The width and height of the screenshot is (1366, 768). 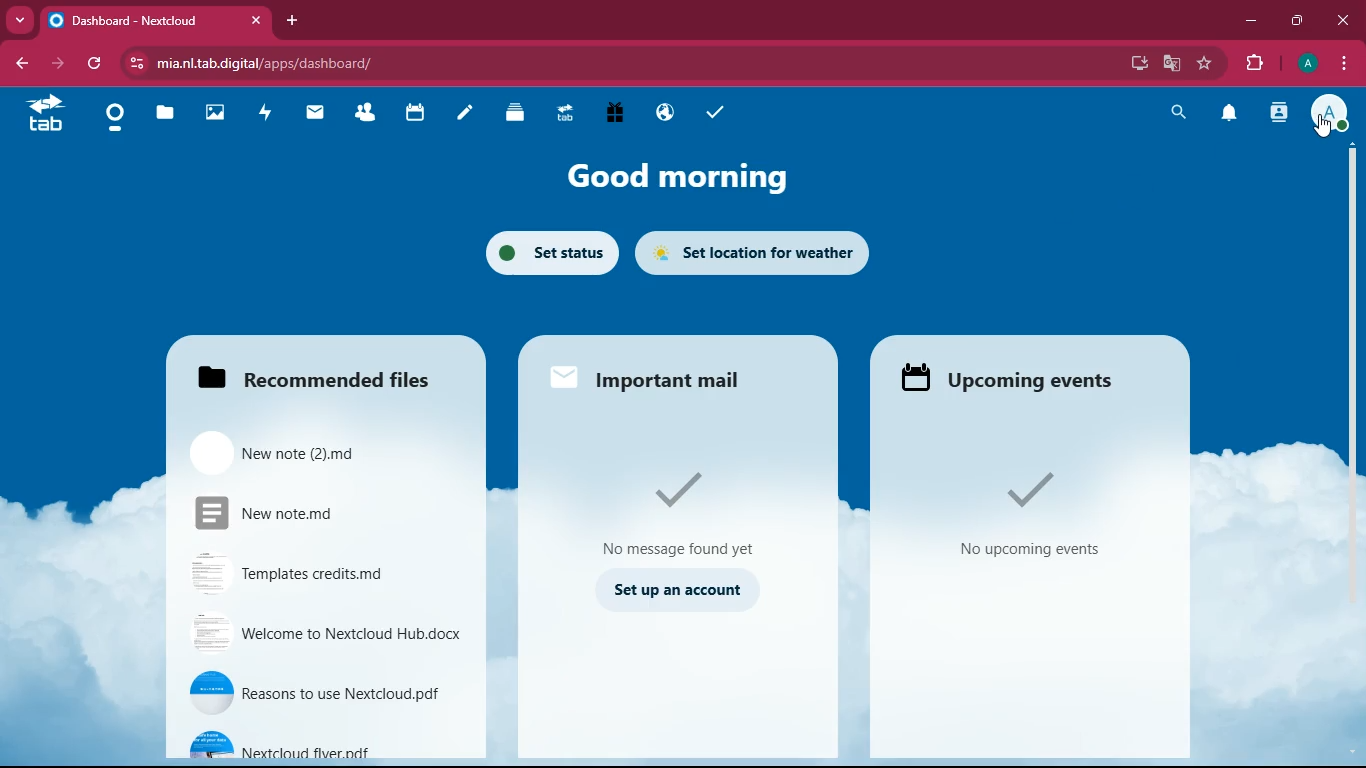 What do you see at coordinates (19, 61) in the screenshot?
I see `backward` at bounding box center [19, 61].